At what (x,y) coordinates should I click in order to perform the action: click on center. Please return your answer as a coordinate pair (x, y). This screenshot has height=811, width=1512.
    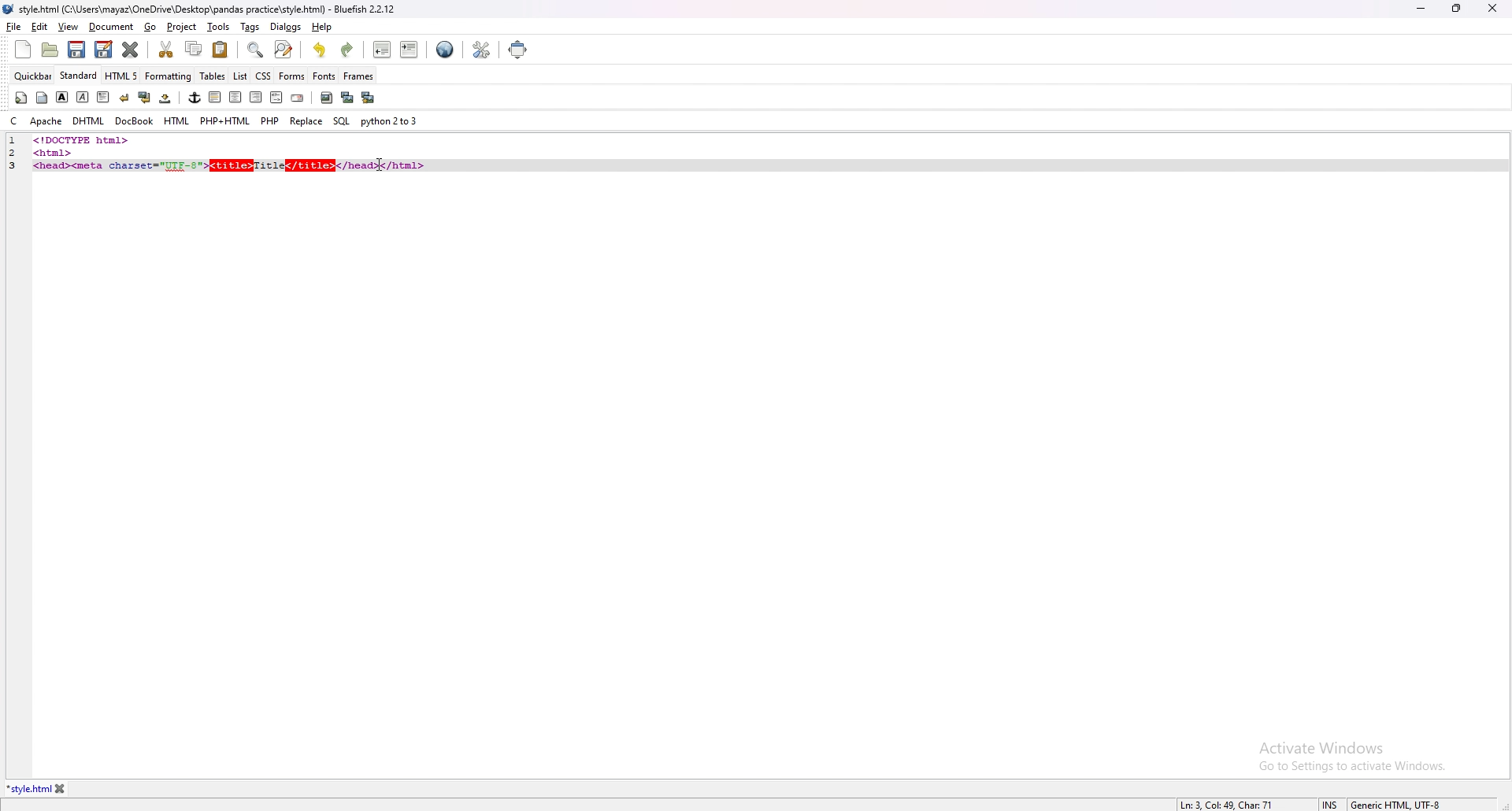
    Looking at the image, I should click on (235, 98).